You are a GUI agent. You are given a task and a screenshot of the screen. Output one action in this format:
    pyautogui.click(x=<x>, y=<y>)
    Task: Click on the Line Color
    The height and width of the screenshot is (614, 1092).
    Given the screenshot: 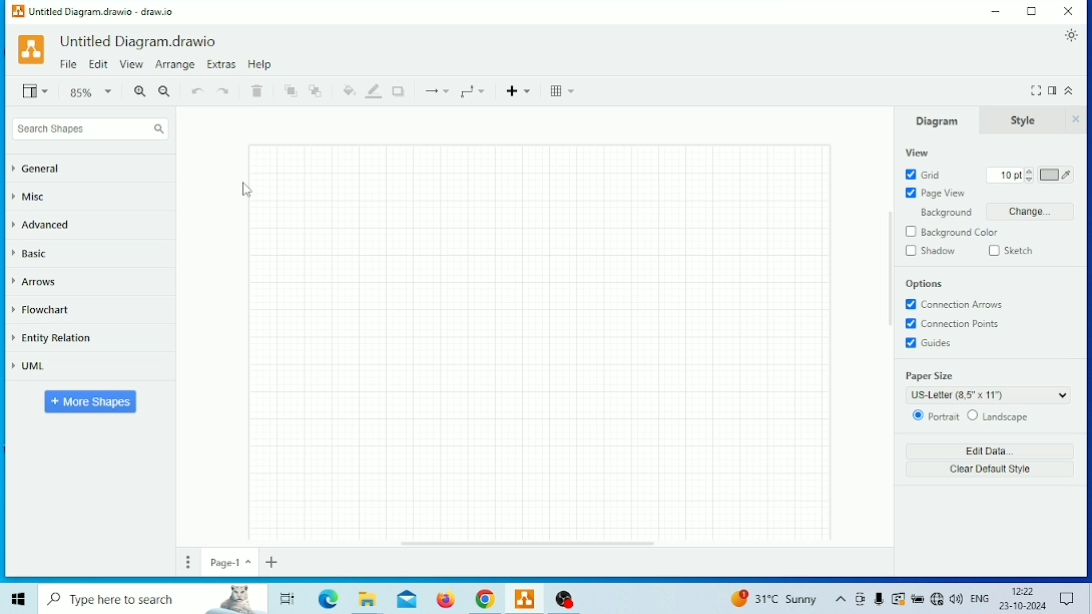 What is the action you would take?
    pyautogui.click(x=374, y=91)
    